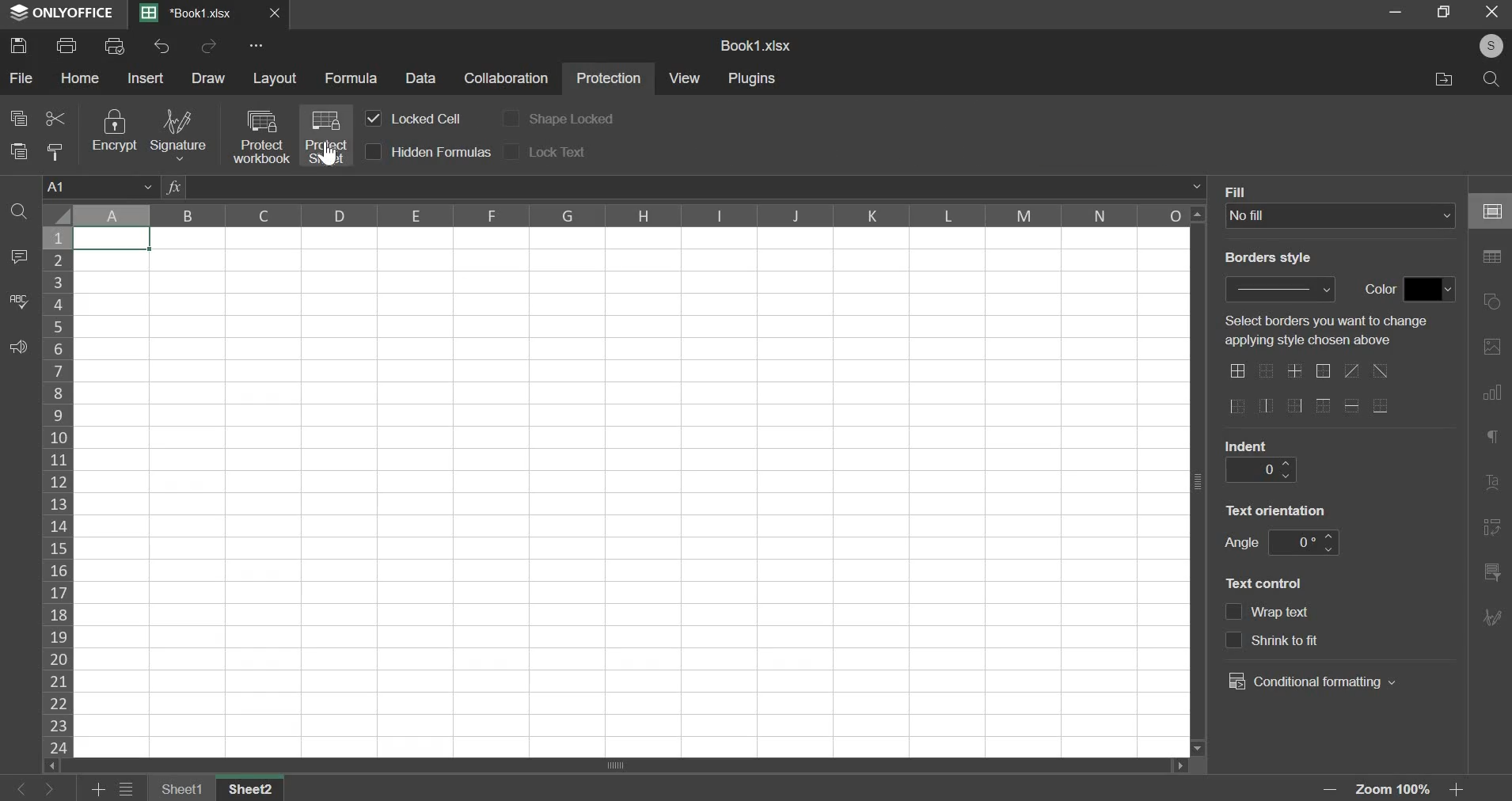 The height and width of the screenshot is (801, 1512). I want to click on right side bar, so click(1496, 211).